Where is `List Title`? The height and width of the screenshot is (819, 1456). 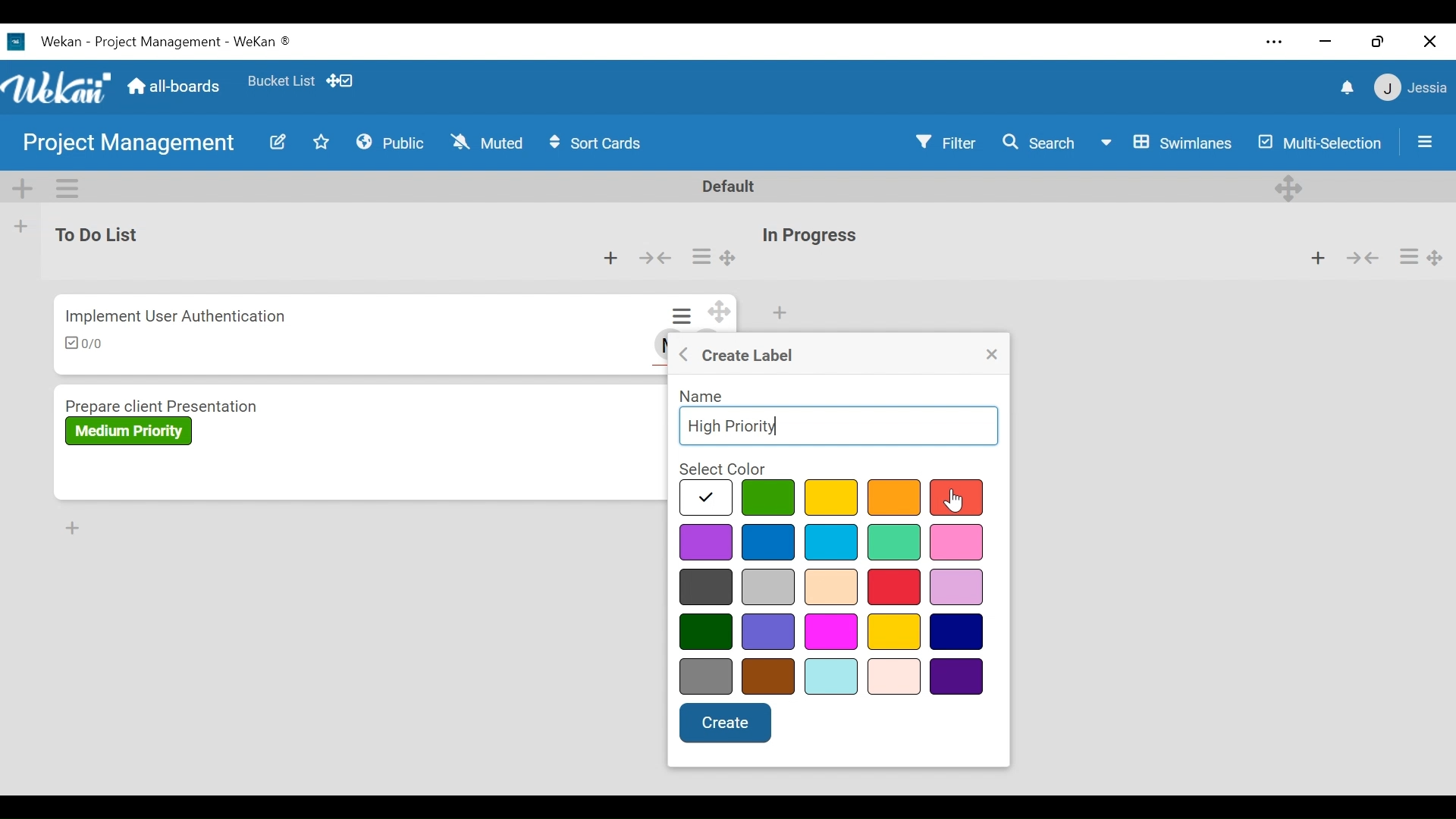 List Title is located at coordinates (808, 237).